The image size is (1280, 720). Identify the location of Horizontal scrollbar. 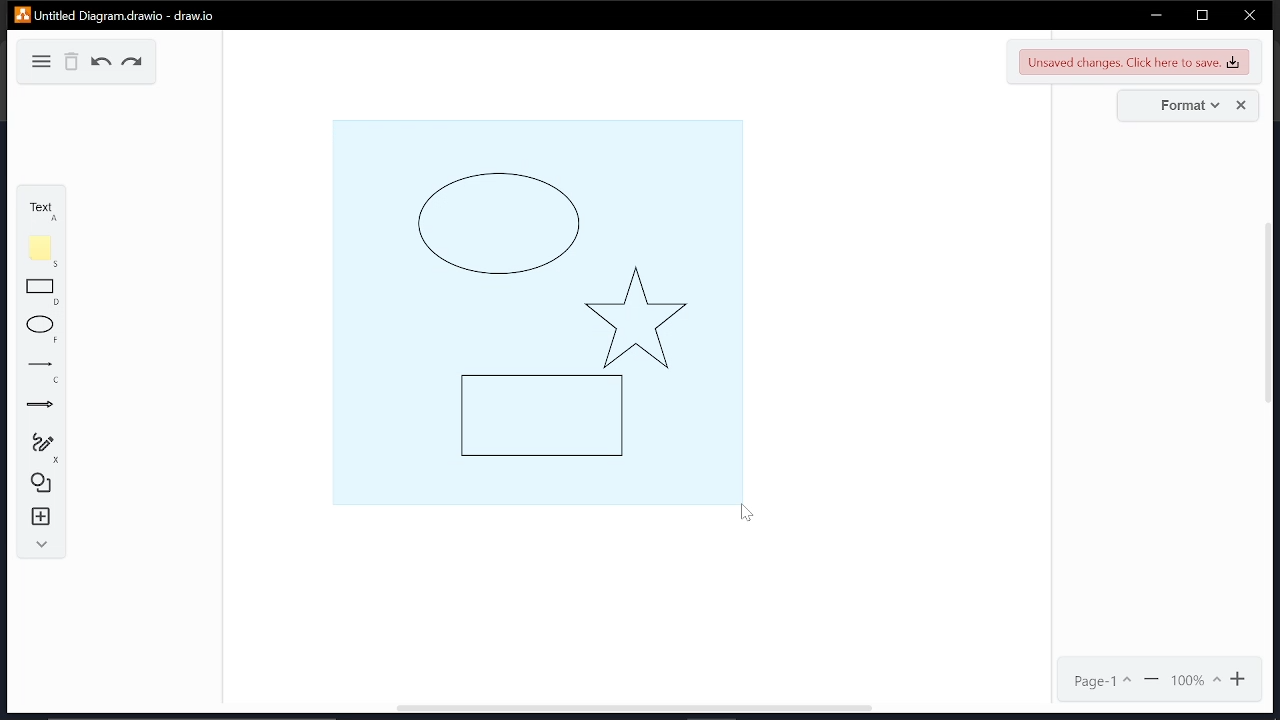
(634, 710).